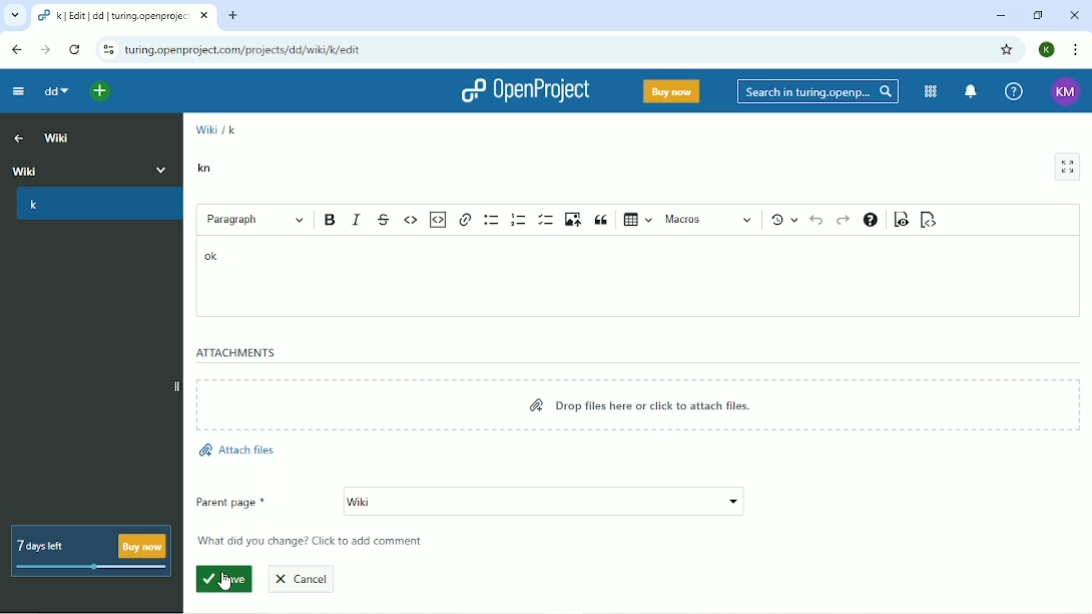  What do you see at coordinates (465, 219) in the screenshot?
I see `Link` at bounding box center [465, 219].